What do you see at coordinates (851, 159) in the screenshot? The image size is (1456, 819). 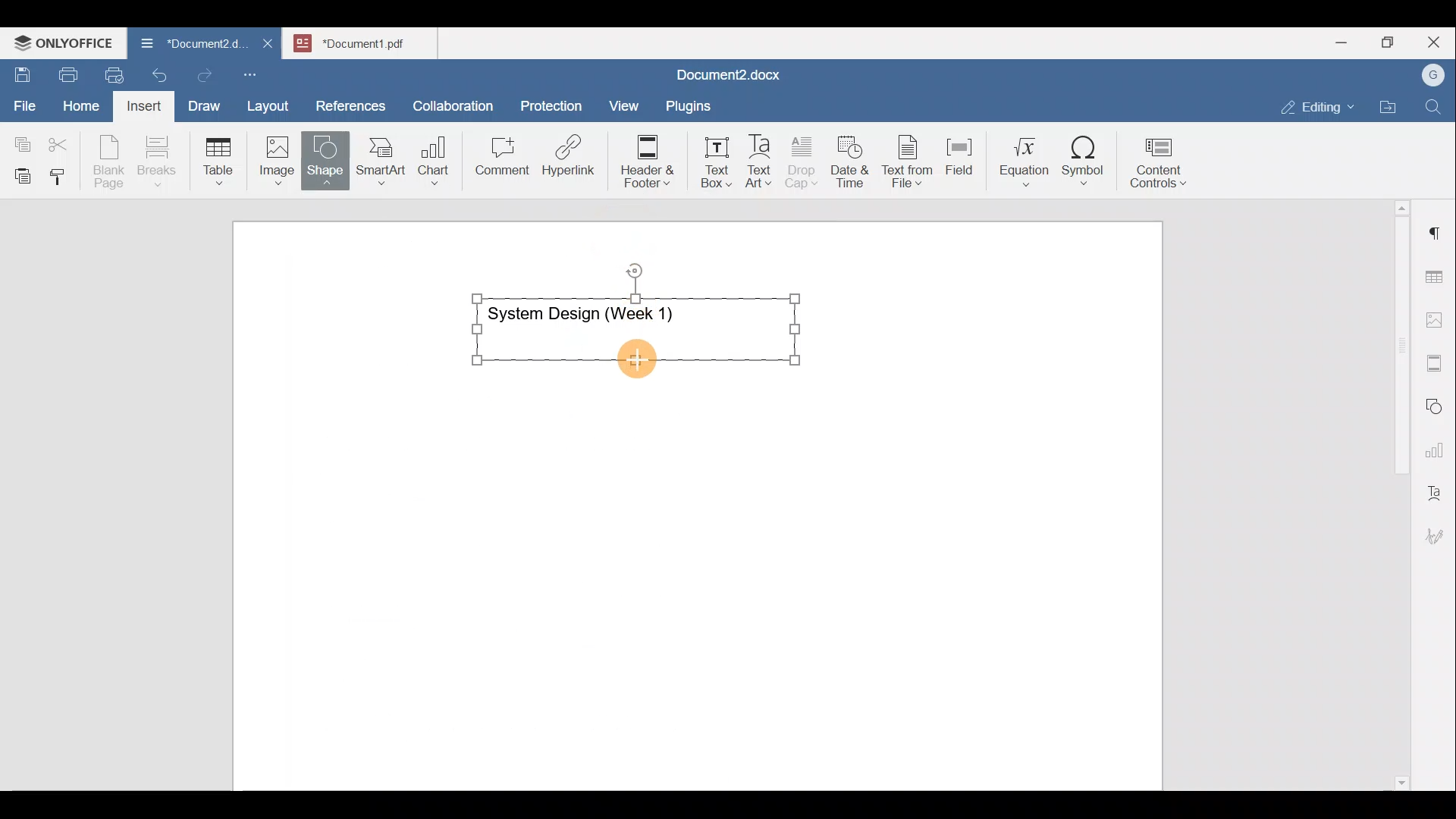 I see `Date & time` at bounding box center [851, 159].